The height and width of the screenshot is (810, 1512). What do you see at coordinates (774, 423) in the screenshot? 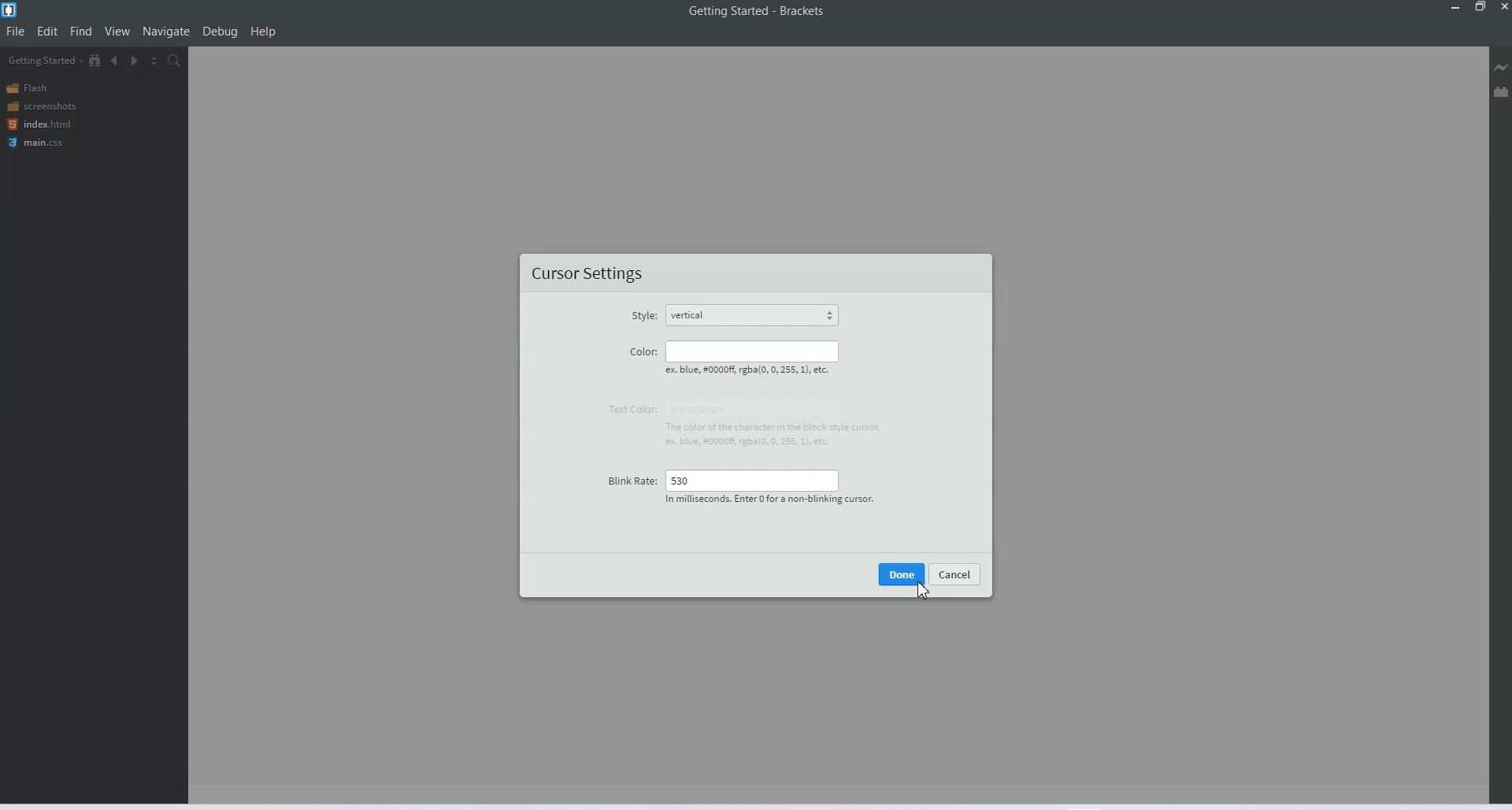
I see `input box` at bounding box center [774, 423].